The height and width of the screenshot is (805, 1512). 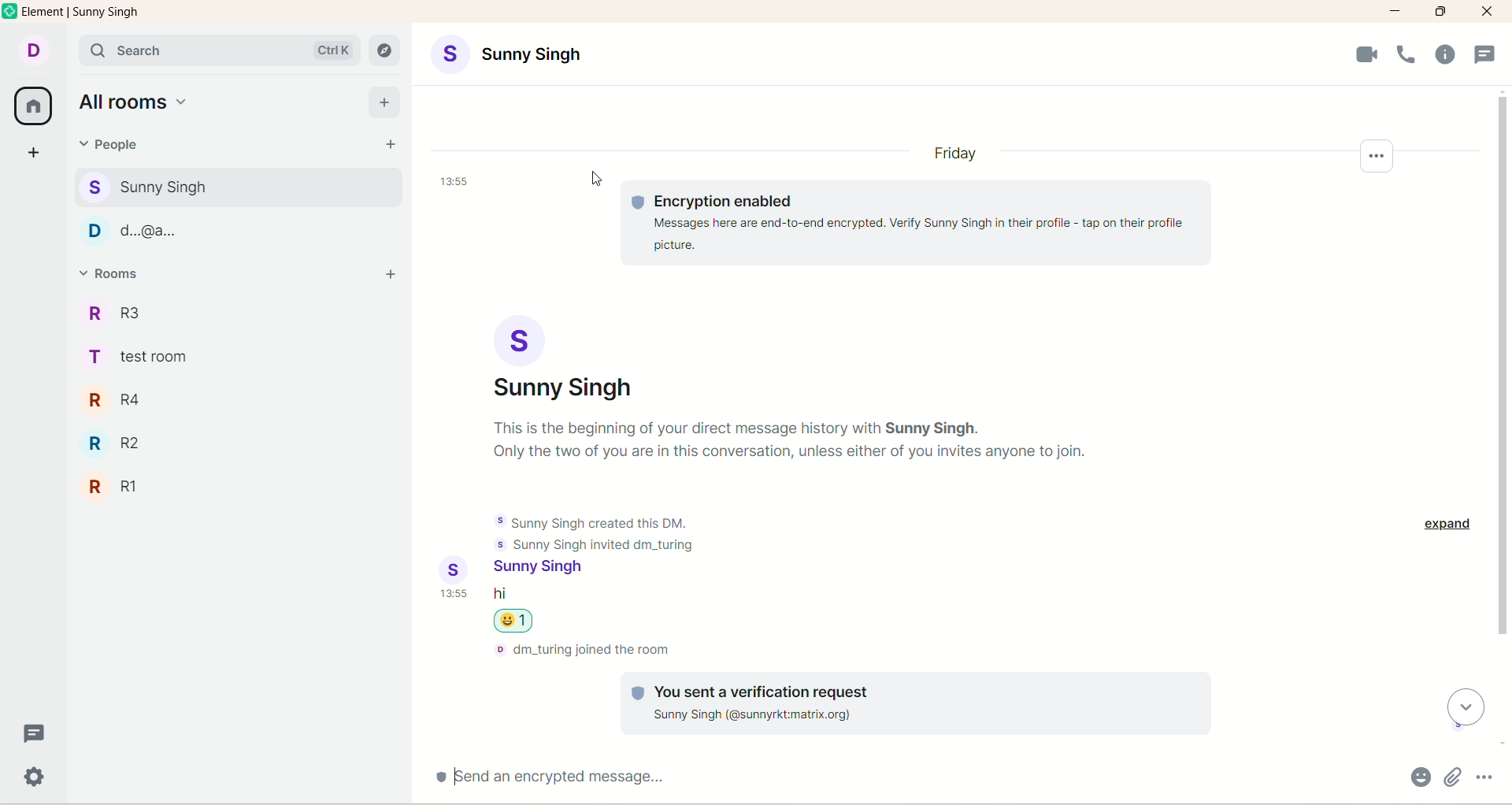 What do you see at coordinates (10, 10) in the screenshot?
I see `Element logo` at bounding box center [10, 10].